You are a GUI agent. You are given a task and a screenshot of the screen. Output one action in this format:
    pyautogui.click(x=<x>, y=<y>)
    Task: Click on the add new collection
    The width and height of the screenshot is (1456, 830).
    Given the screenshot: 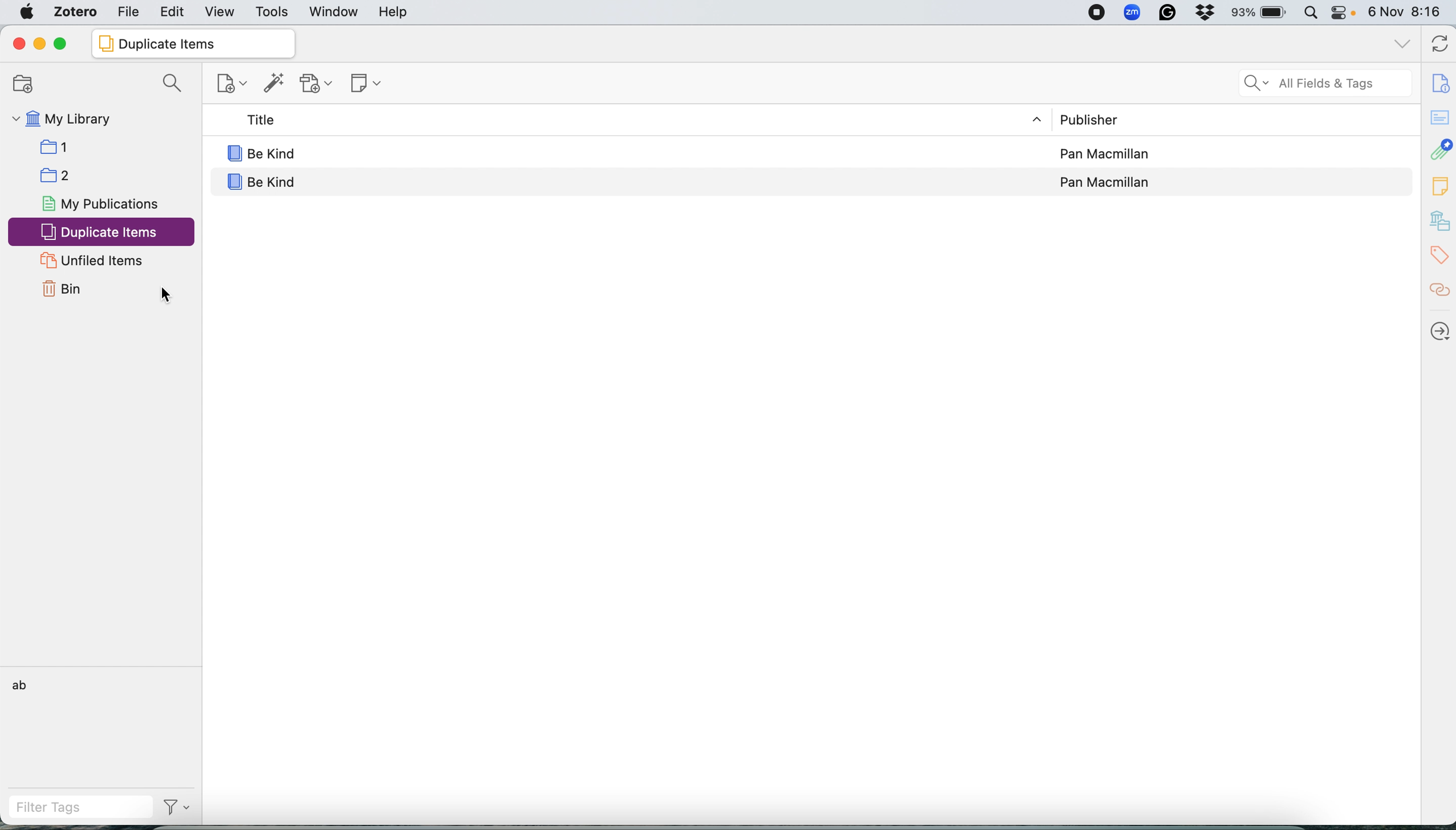 What is the action you would take?
    pyautogui.click(x=22, y=84)
    